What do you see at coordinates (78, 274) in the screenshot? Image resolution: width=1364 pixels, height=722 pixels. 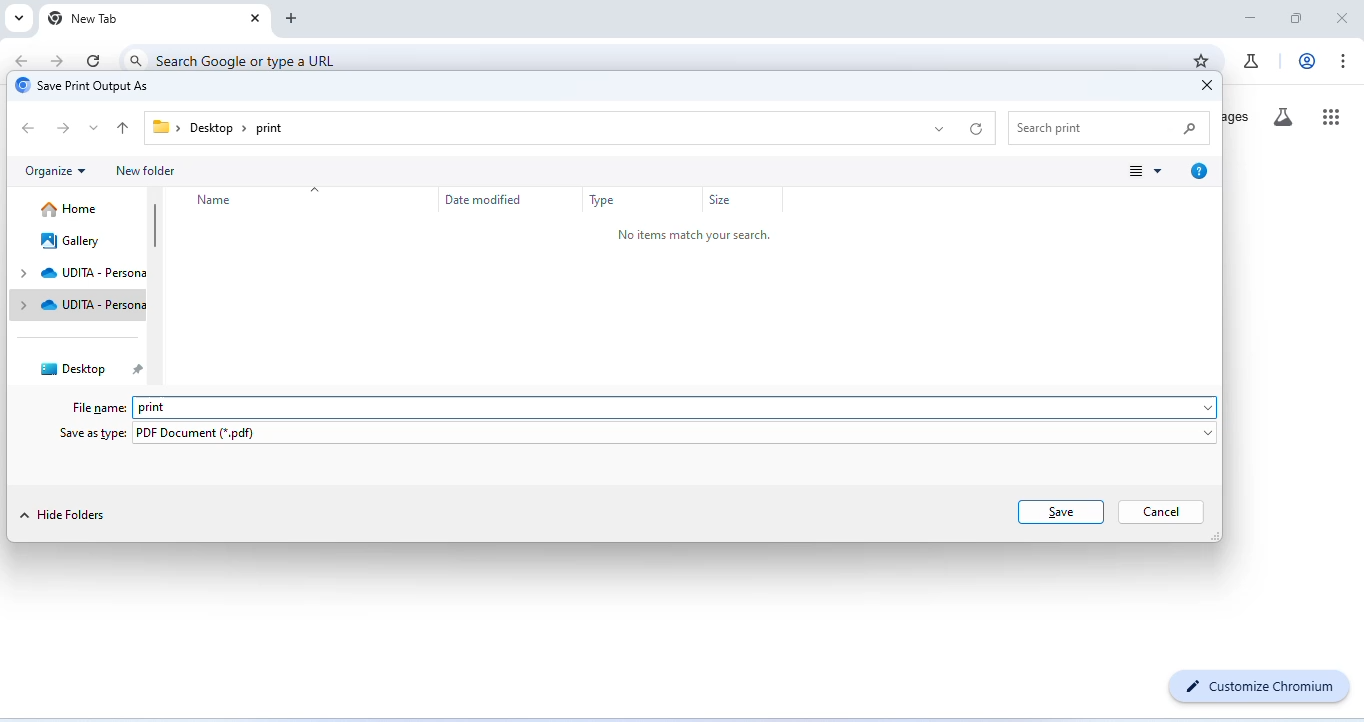 I see `udita personal` at bounding box center [78, 274].